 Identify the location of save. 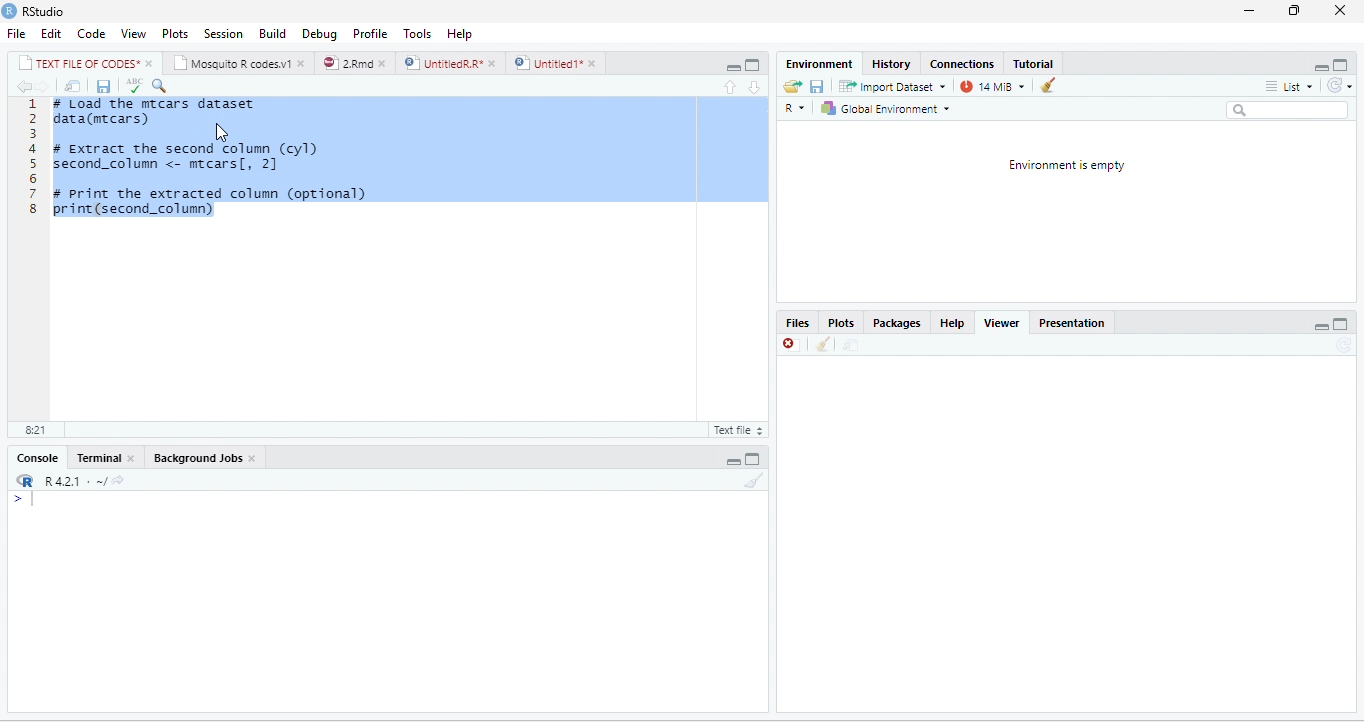
(103, 85).